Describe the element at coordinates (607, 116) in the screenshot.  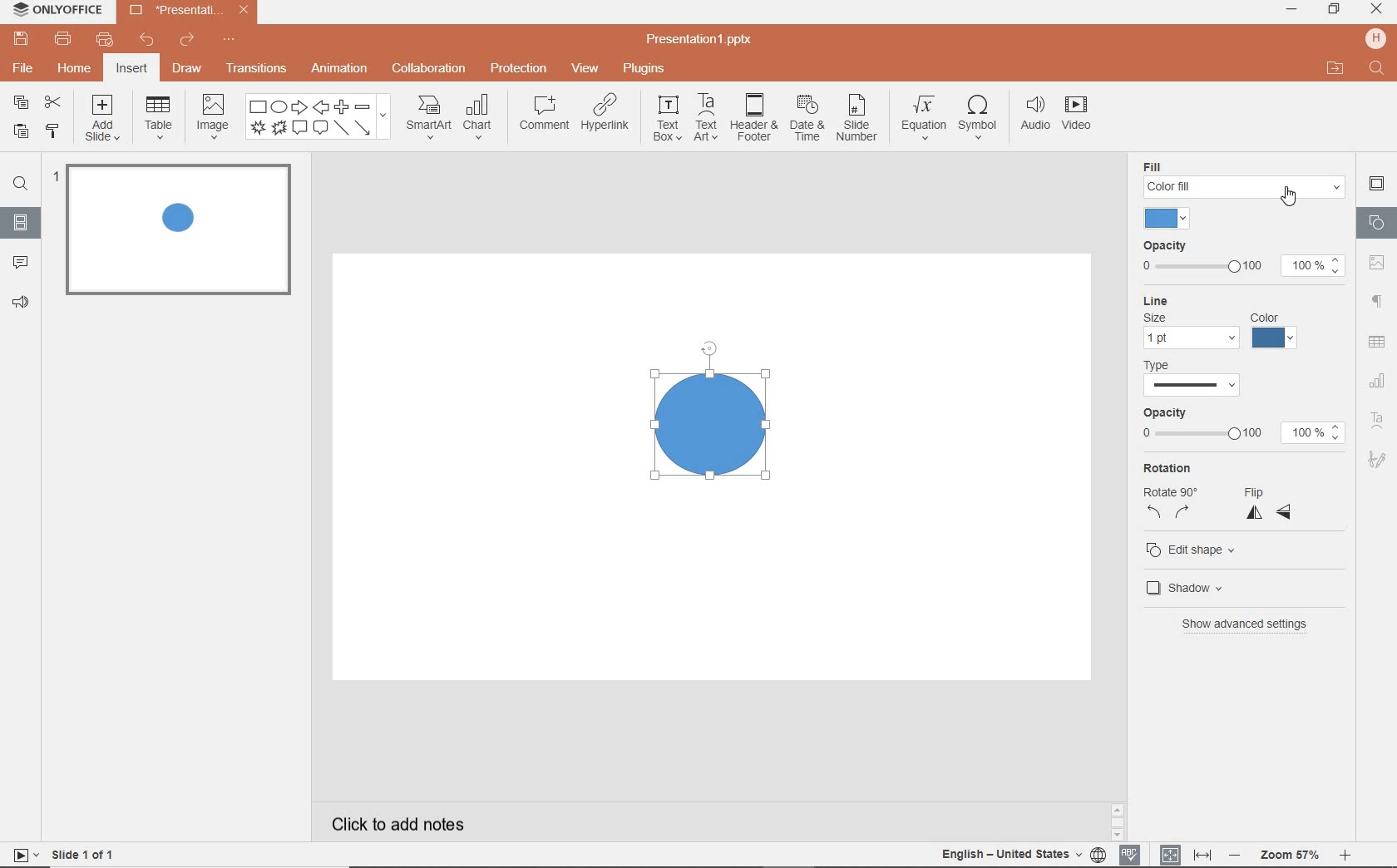
I see `hyperlink` at that location.